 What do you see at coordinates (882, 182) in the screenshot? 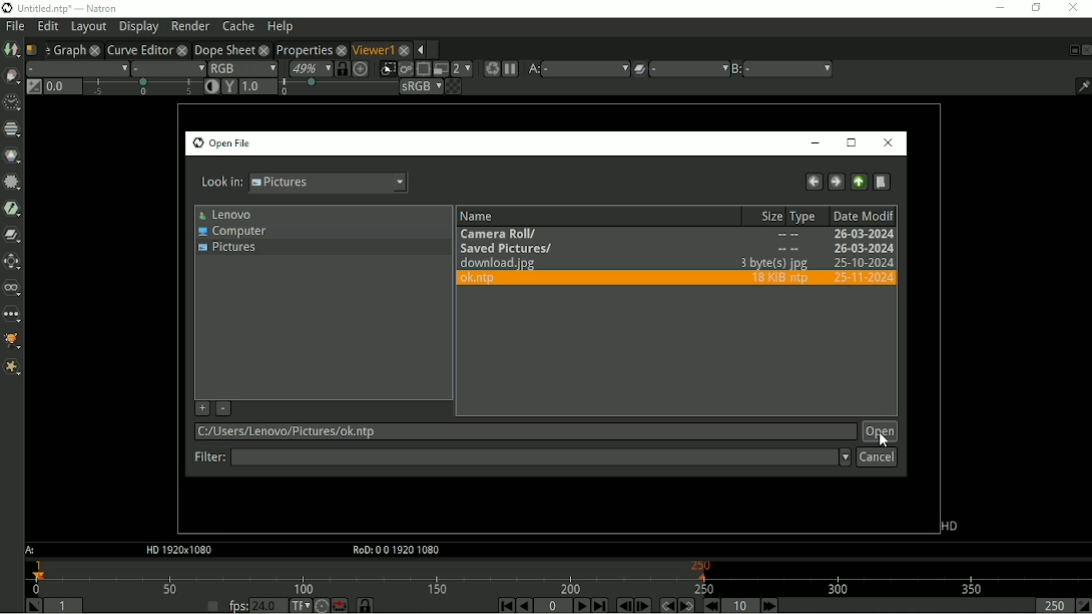
I see `Create a new directory here` at bounding box center [882, 182].